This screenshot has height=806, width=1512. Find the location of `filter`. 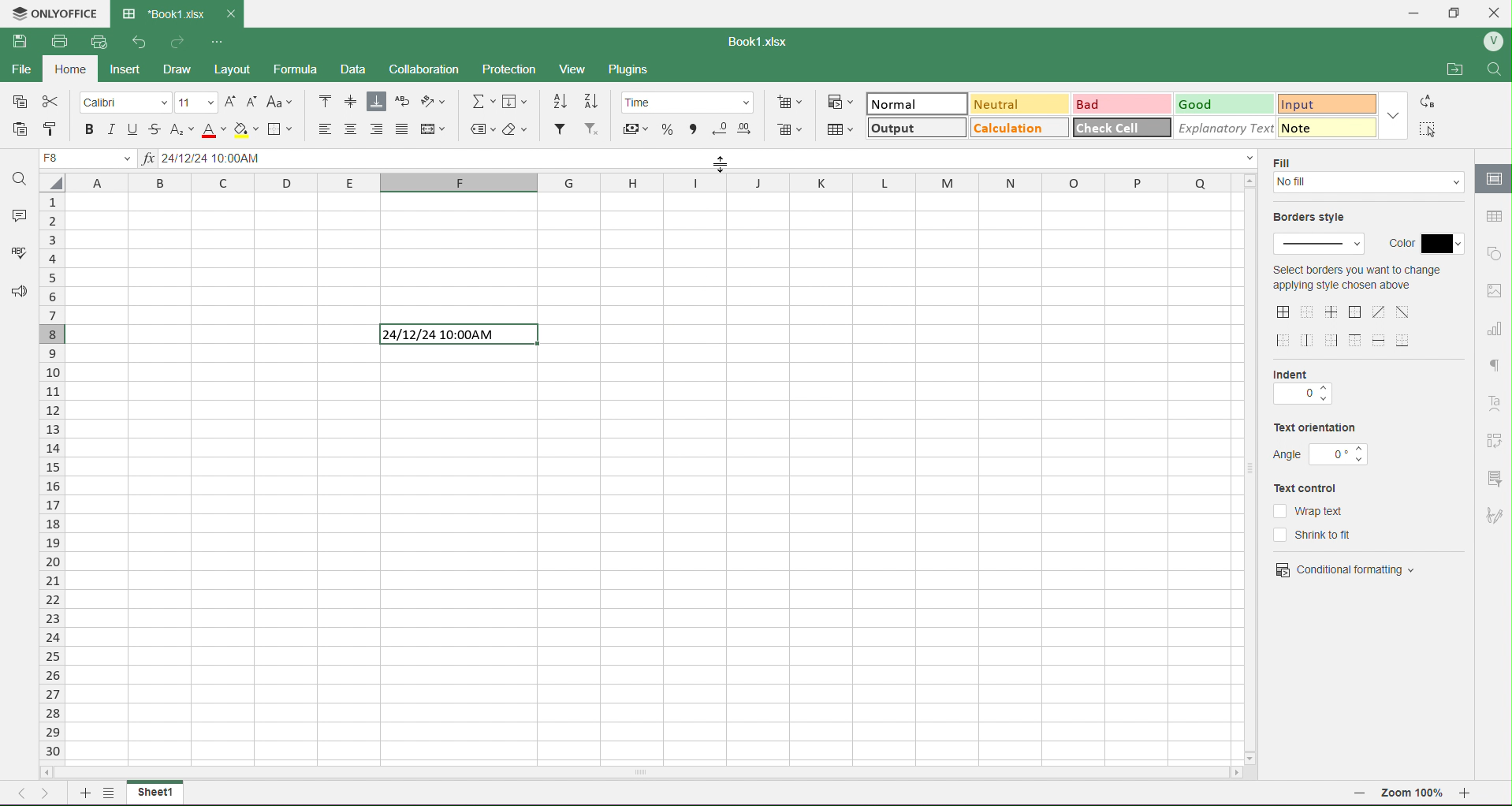

filter is located at coordinates (1493, 477).